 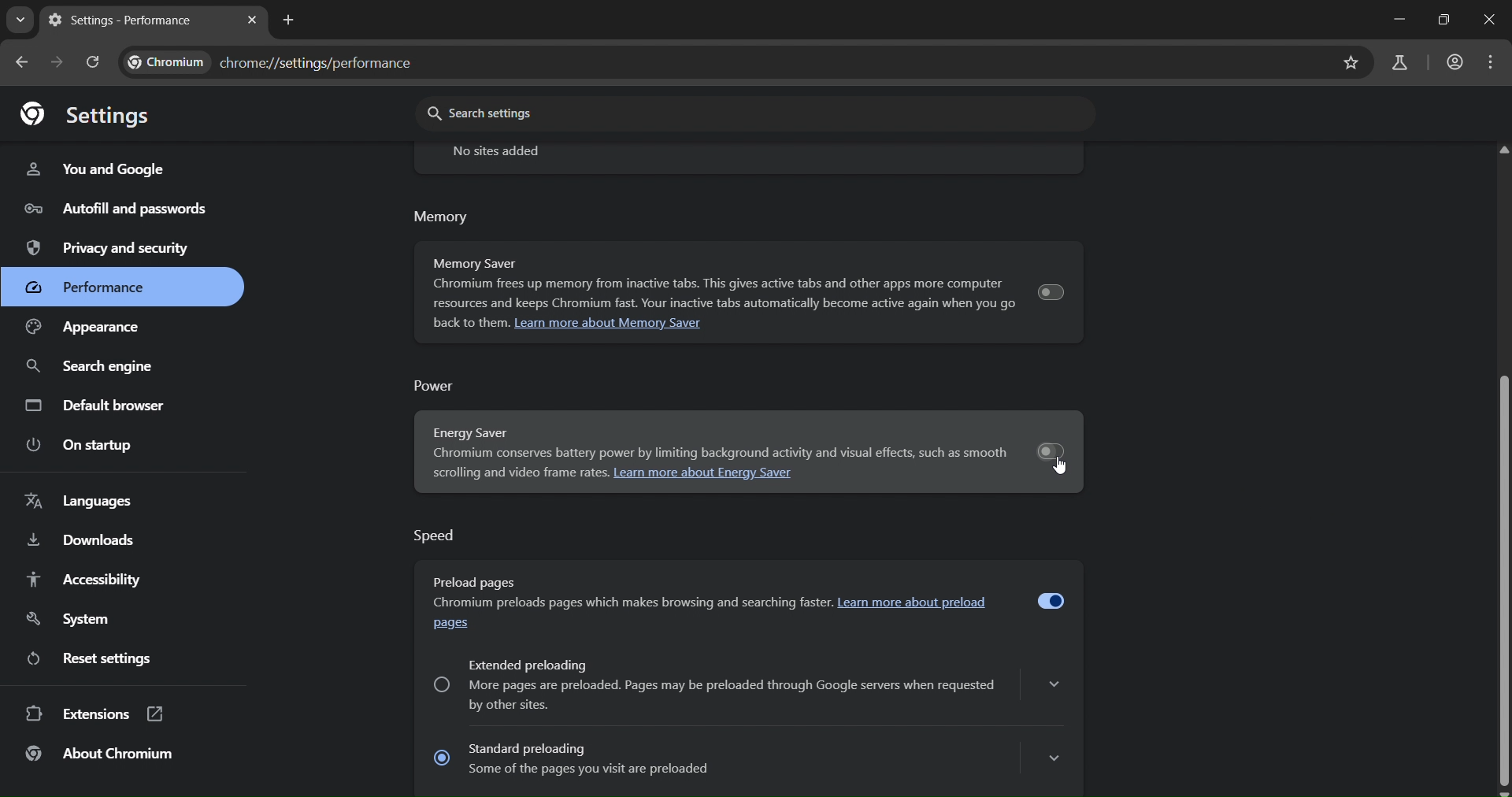 I want to click on toggle preload, so click(x=1055, y=599).